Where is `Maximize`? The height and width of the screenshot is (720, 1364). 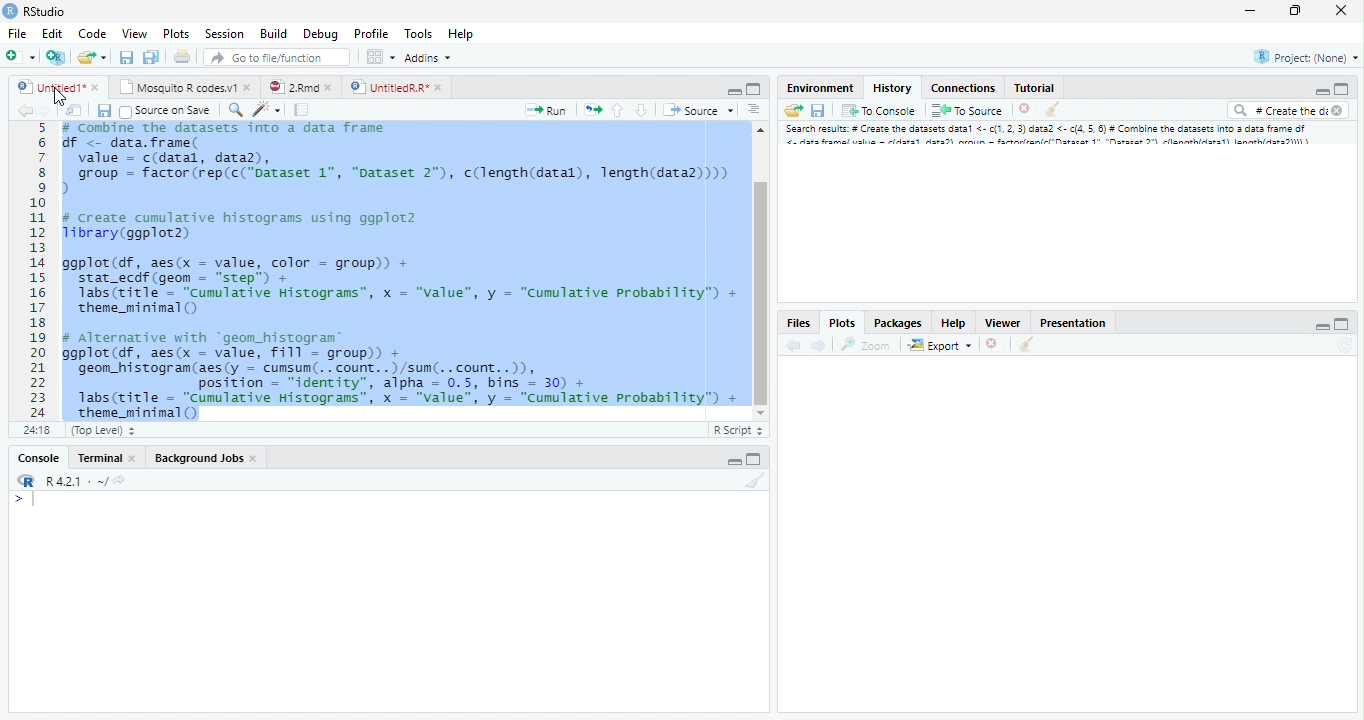 Maximize is located at coordinates (1344, 323).